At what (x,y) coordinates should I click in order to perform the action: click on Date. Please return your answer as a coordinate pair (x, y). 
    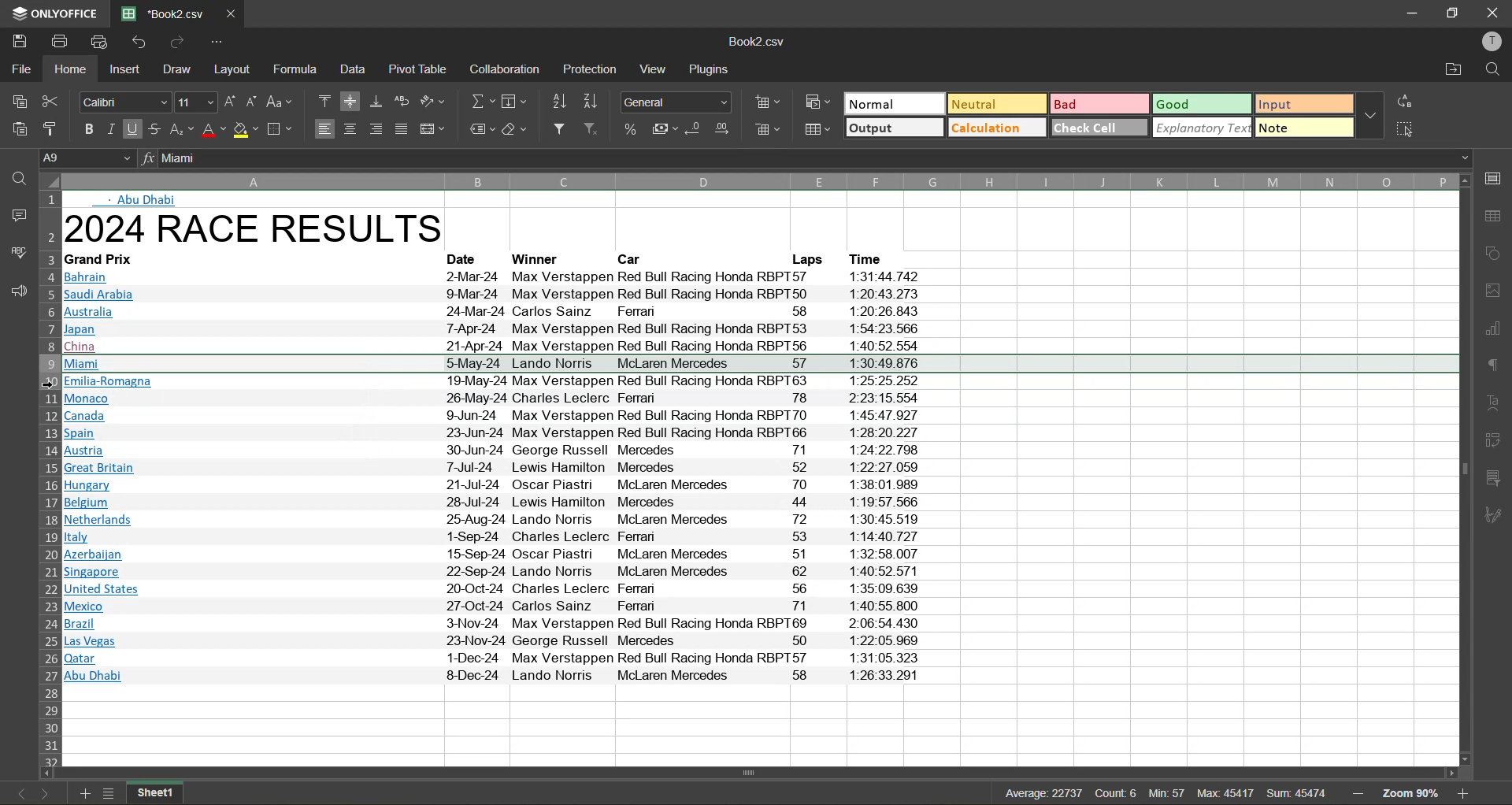
    Looking at the image, I should click on (467, 258).